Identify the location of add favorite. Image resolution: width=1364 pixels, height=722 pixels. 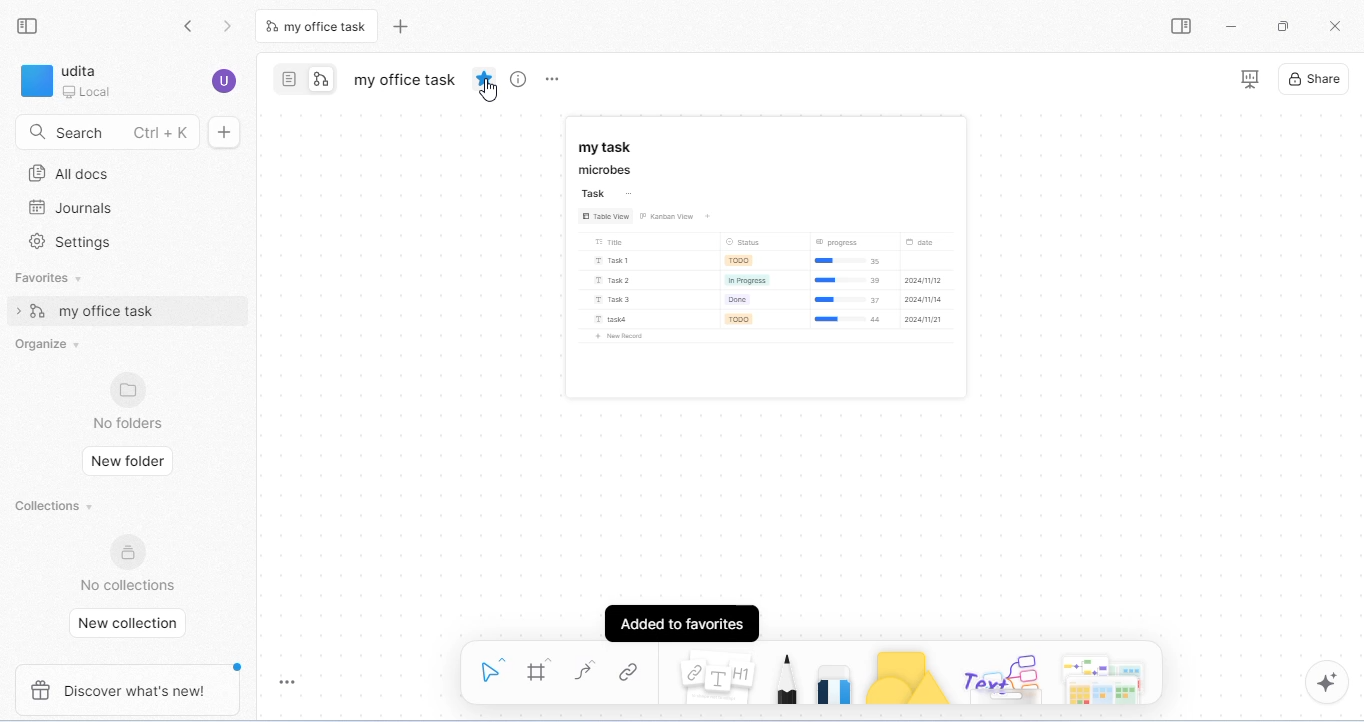
(487, 79).